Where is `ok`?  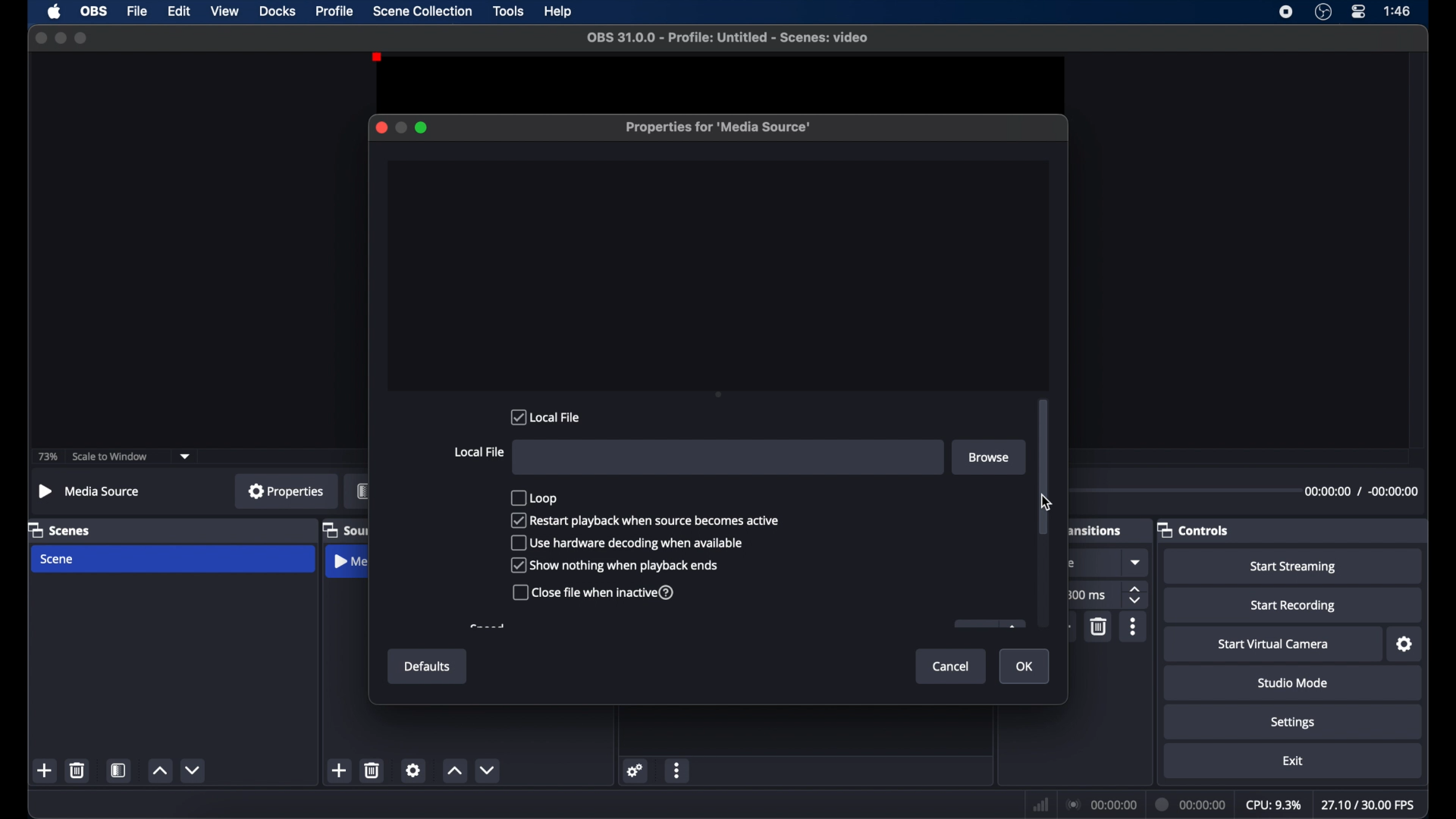
ok is located at coordinates (1025, 667).